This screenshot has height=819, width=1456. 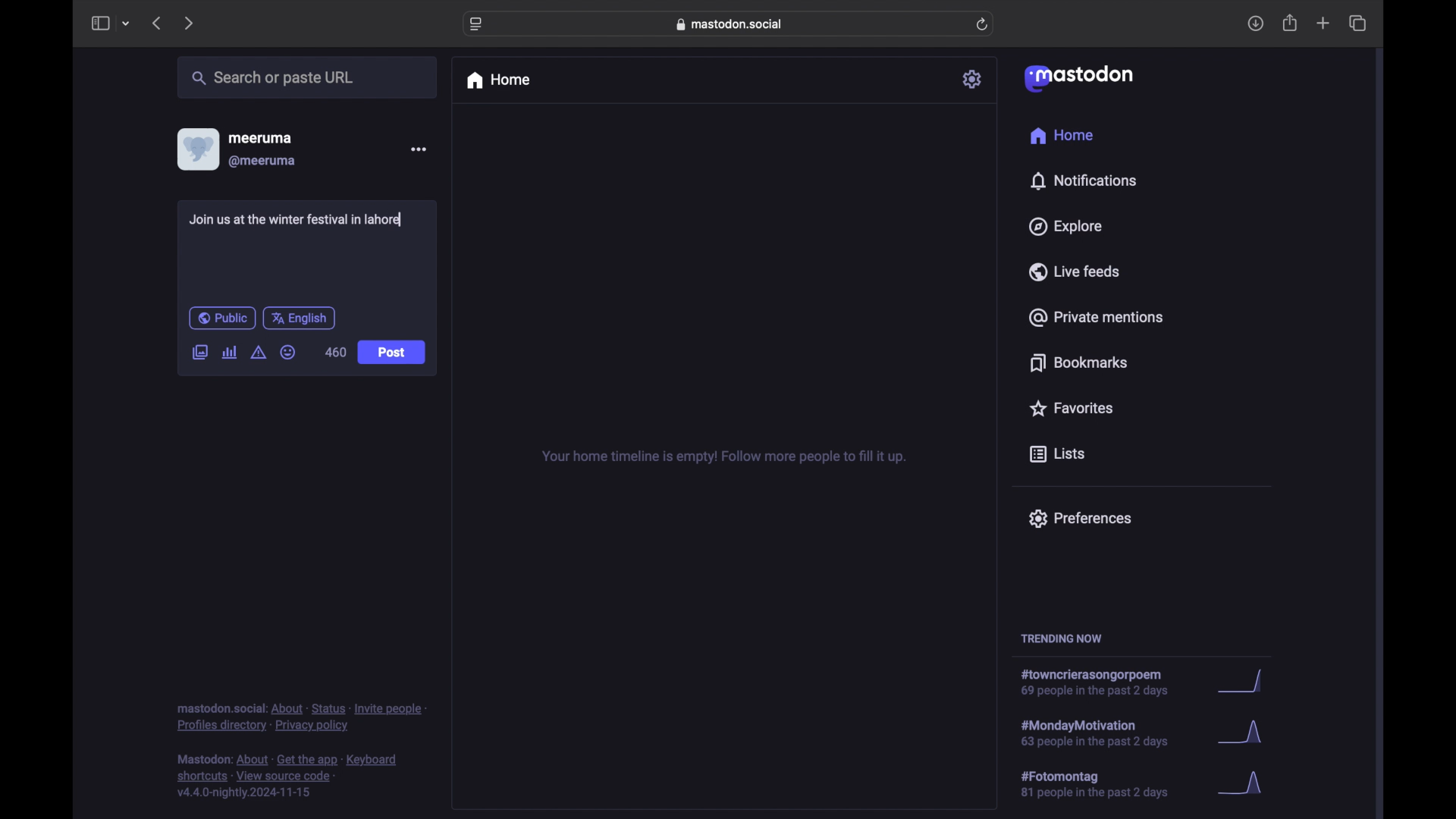 What do you see at coordinates (1079, 517) in the screenshot?
I see `preferences` at bounding box center [1079, 517].